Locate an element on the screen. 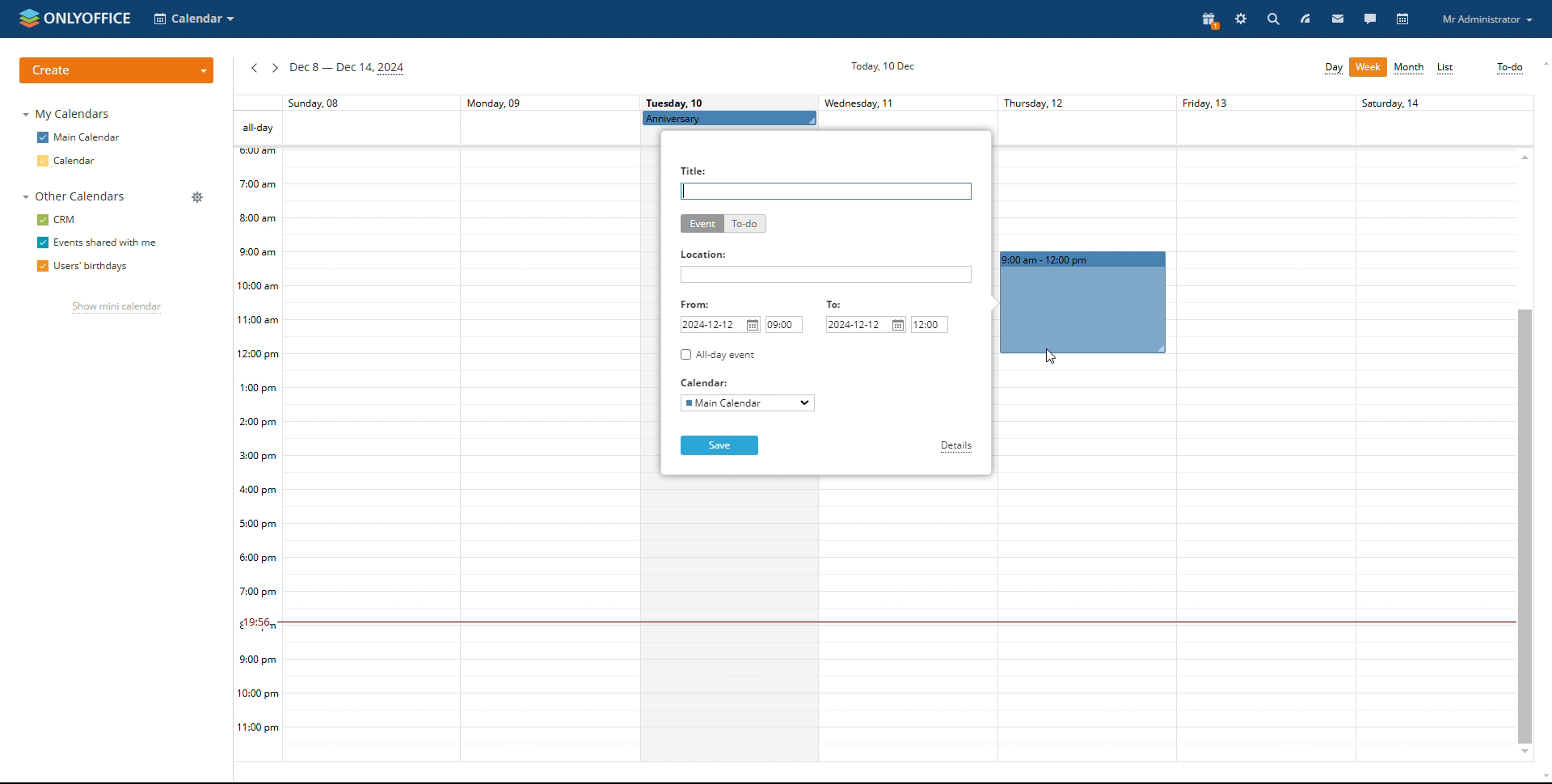  From: is located at coordinates (698, 306).